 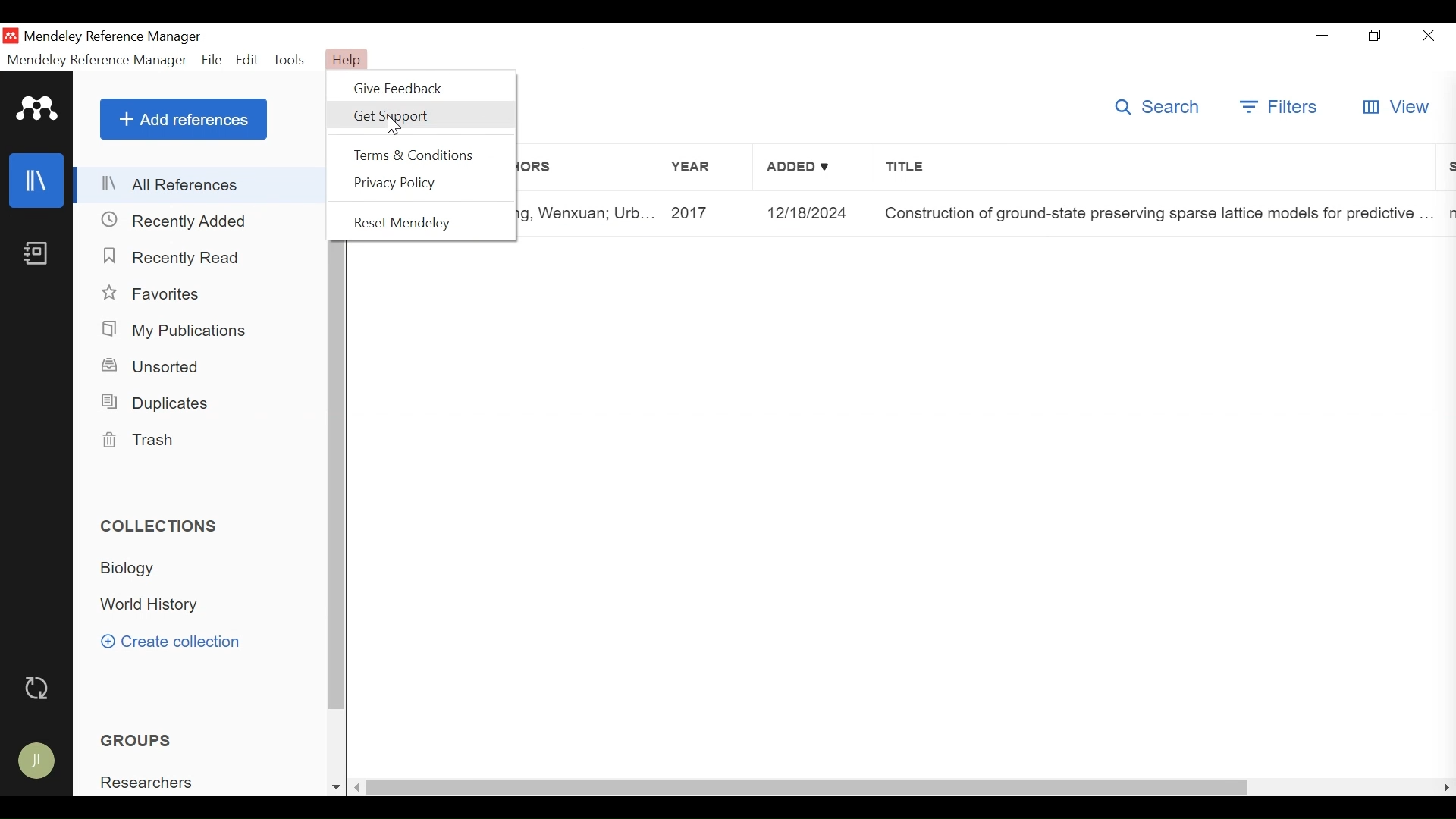 I want to click on Title, so click(x=1153, y=170).